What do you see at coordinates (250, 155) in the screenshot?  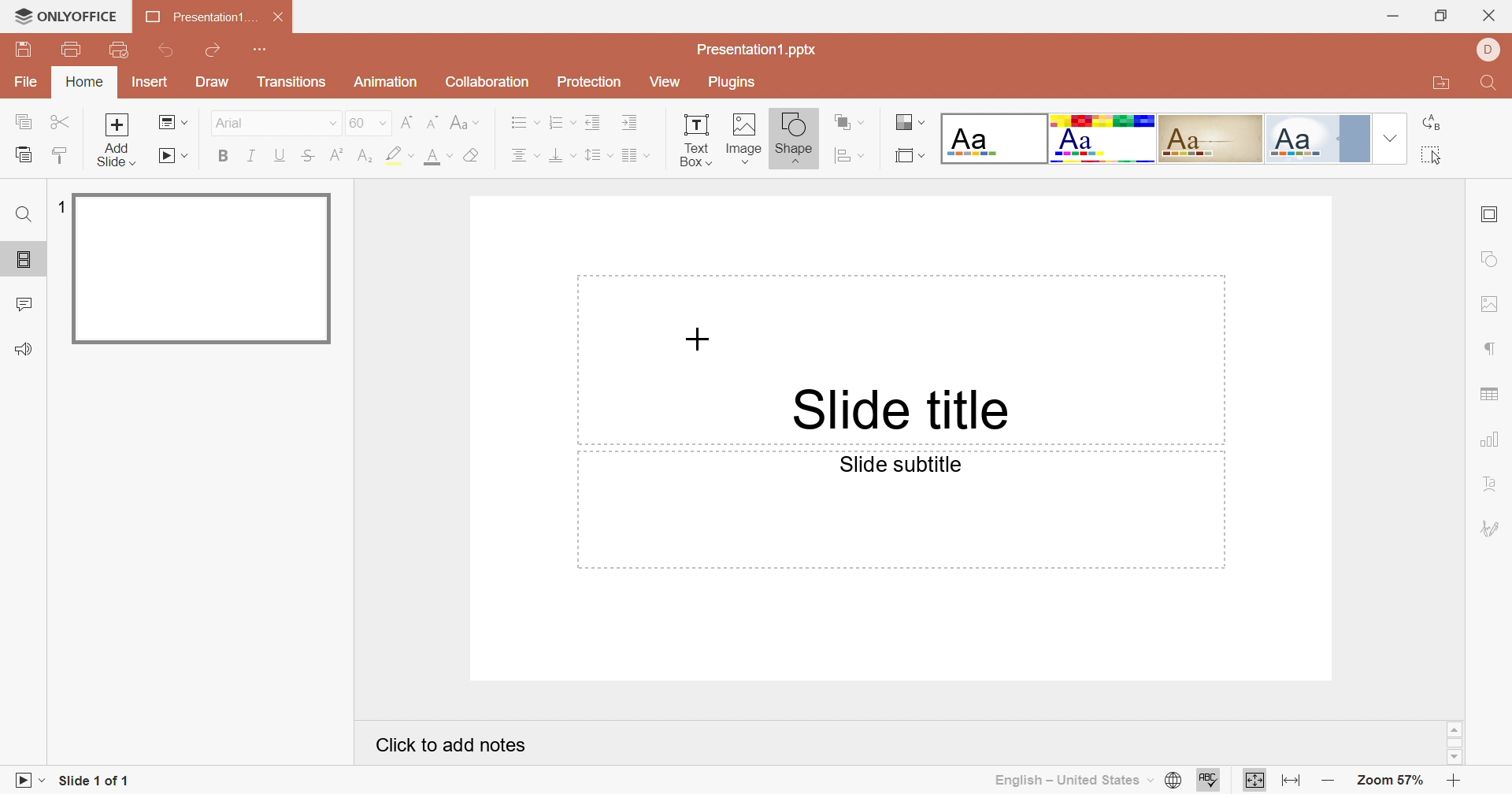 I see `Italic` at bounding box center [250, 155].